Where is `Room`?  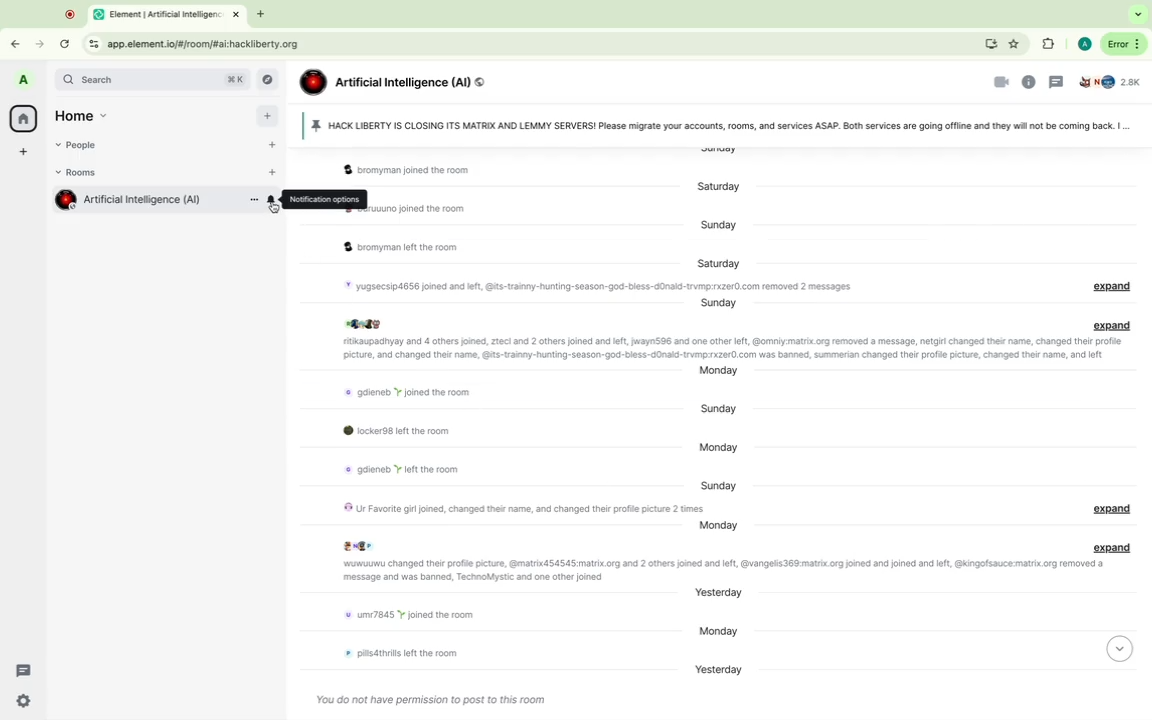
Room is located at coordinates (151, 199).